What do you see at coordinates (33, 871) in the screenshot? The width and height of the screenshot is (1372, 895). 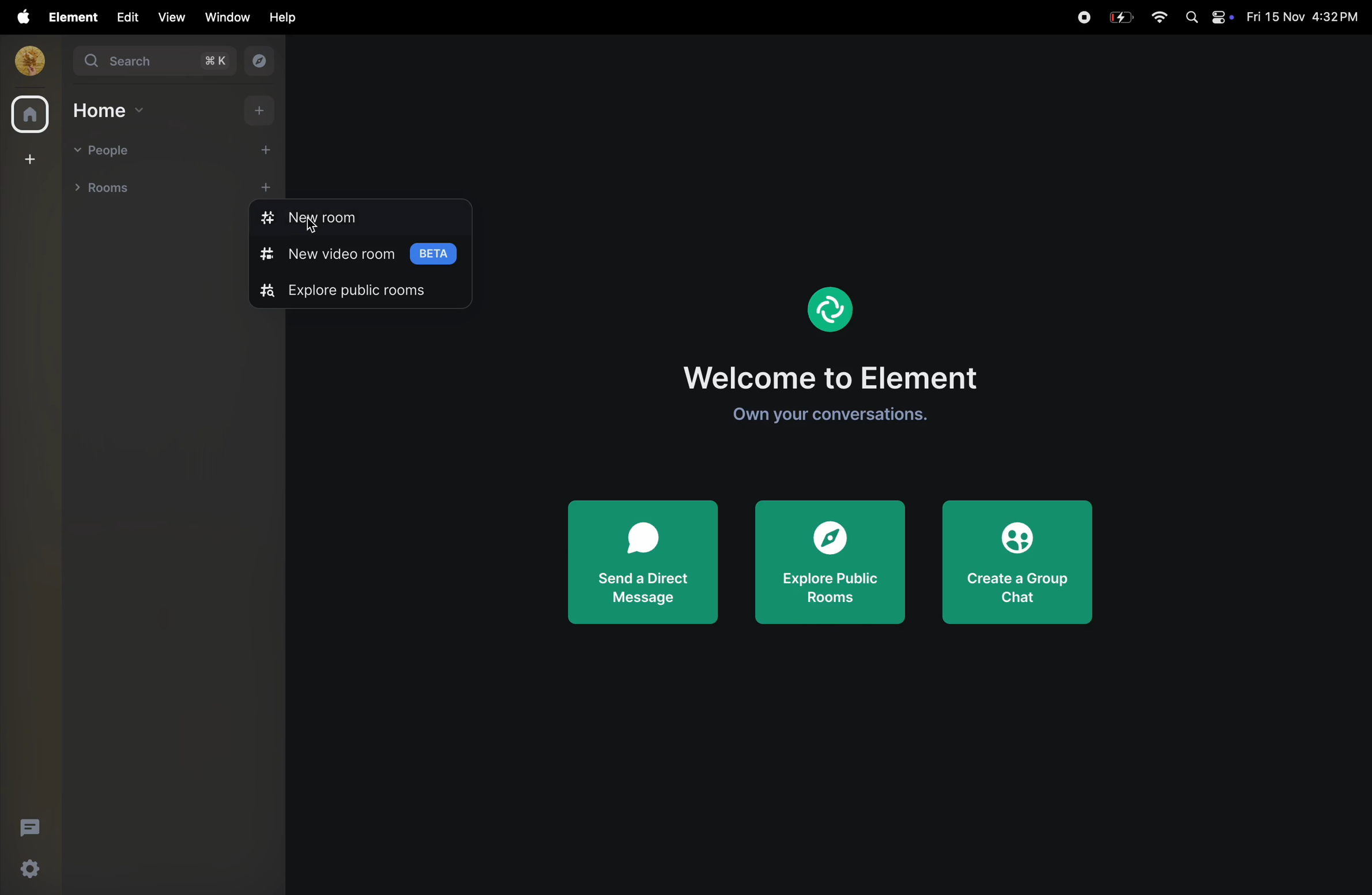 I see `settings` at bounding box center [33, 871].